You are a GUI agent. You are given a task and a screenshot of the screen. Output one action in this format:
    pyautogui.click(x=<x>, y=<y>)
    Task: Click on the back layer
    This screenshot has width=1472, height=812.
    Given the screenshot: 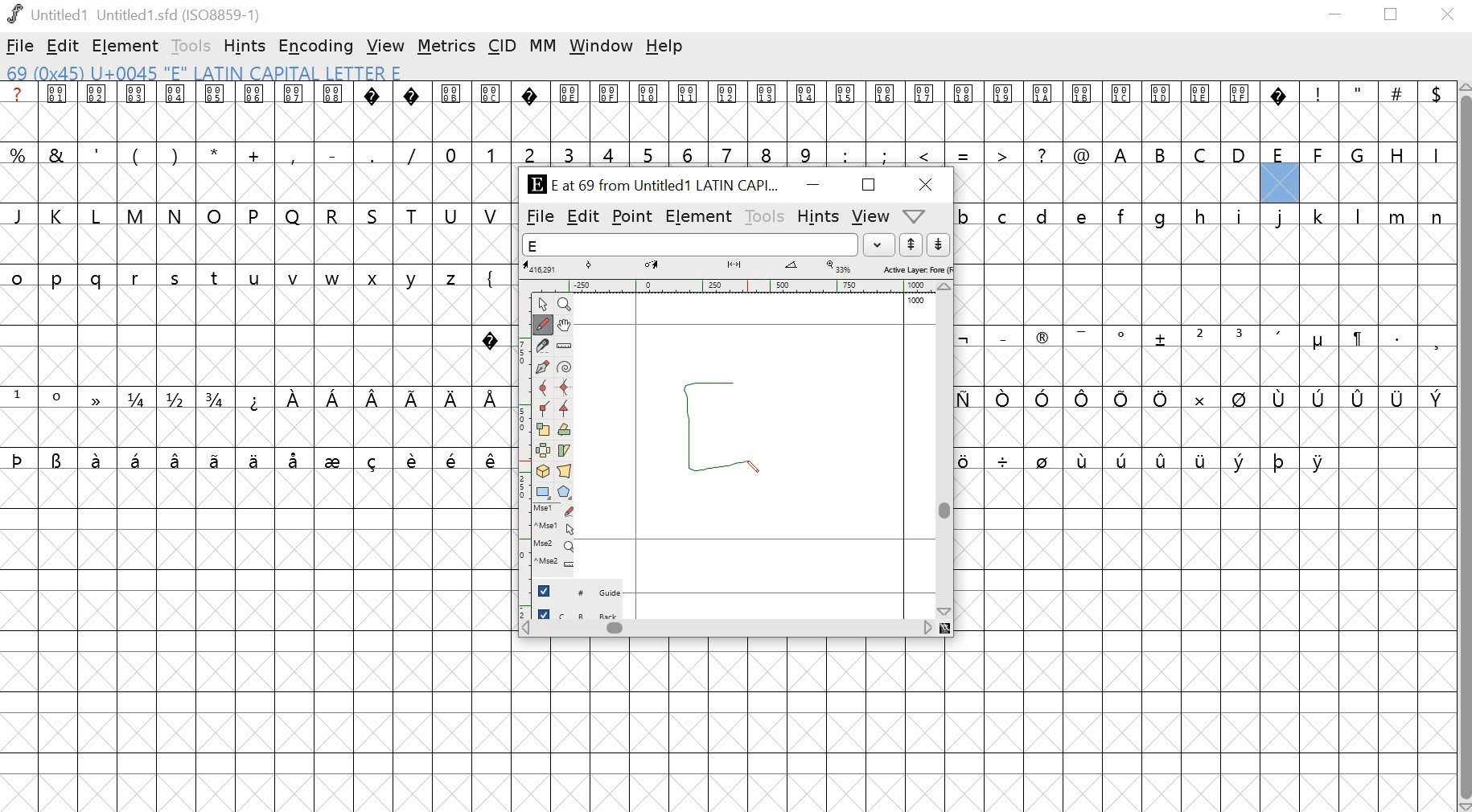 What is the action you would take?
    pyautogui.click(x=578, y=615)
    